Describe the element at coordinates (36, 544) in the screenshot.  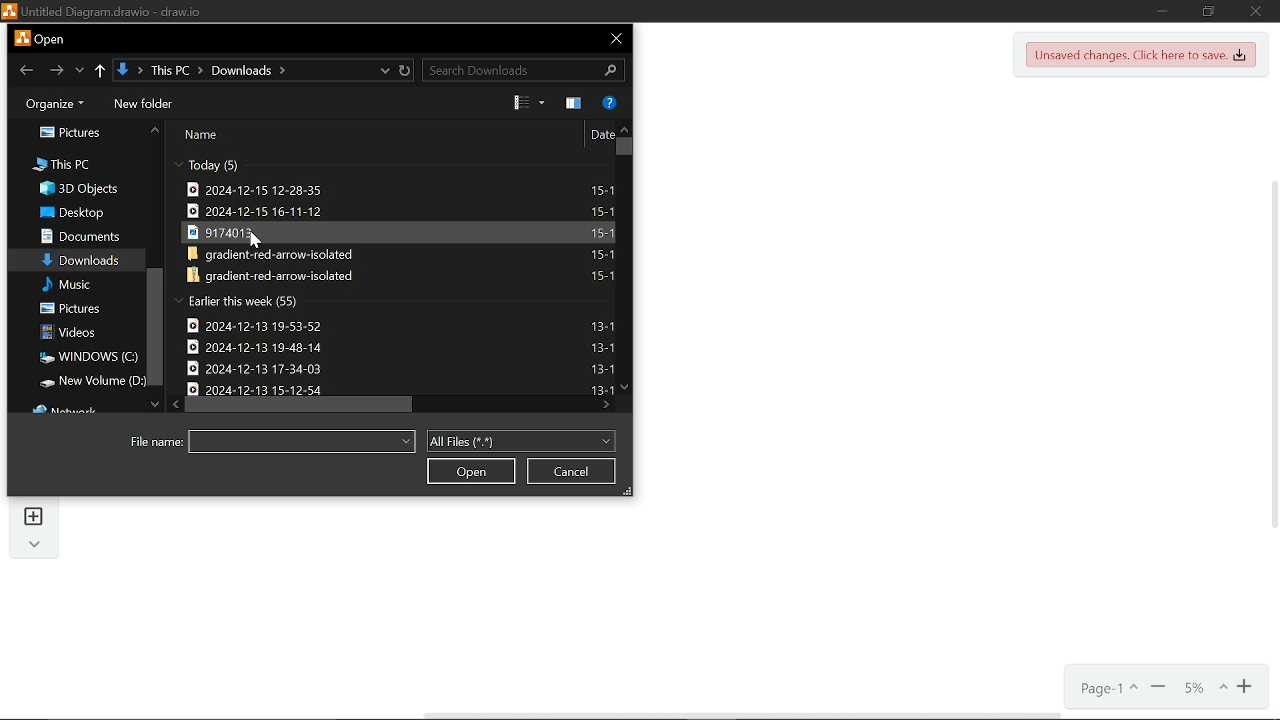
I see `collapse` at that location.